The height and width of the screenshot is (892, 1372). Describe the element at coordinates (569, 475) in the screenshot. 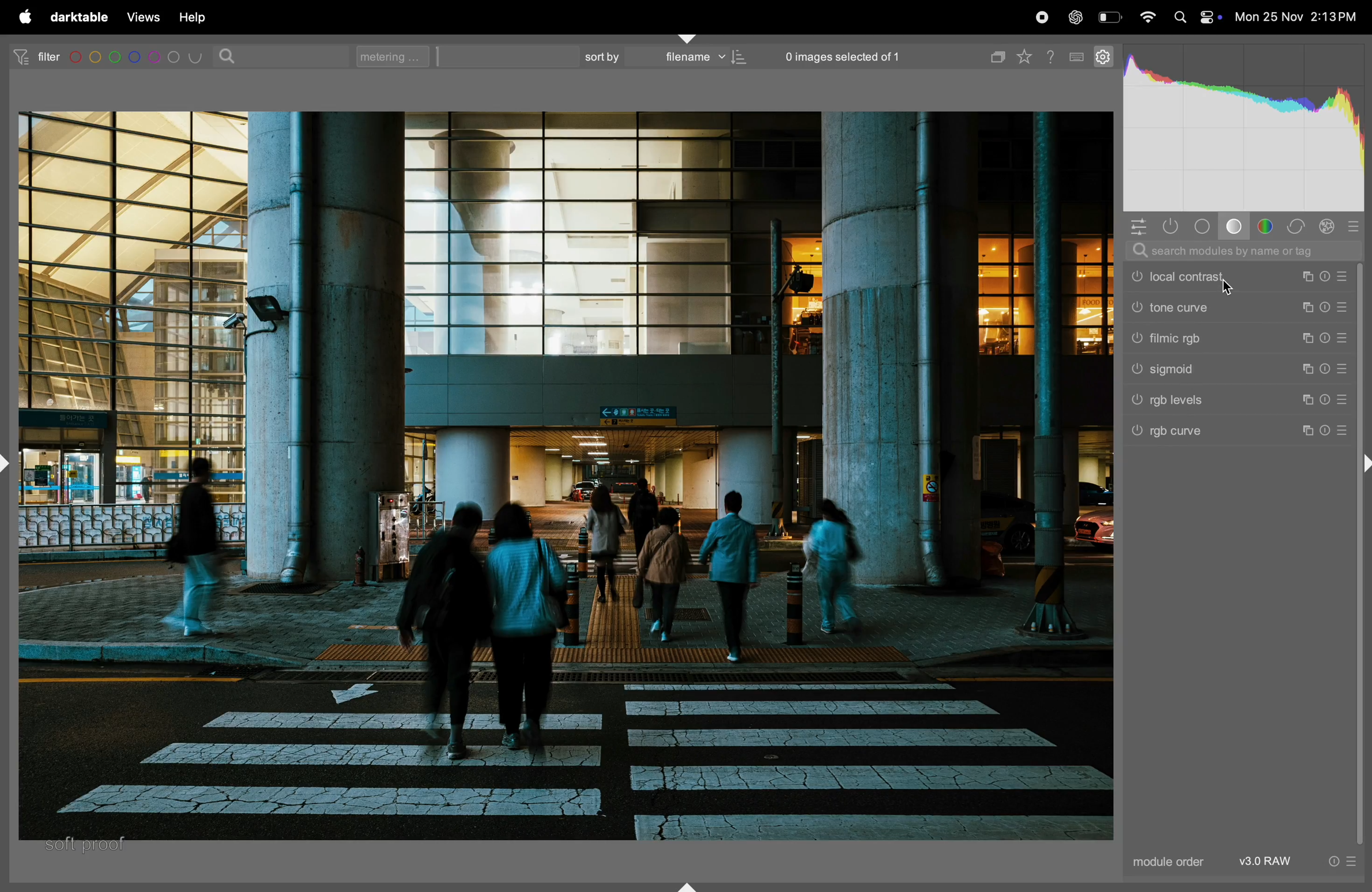

I see `image` at that location.